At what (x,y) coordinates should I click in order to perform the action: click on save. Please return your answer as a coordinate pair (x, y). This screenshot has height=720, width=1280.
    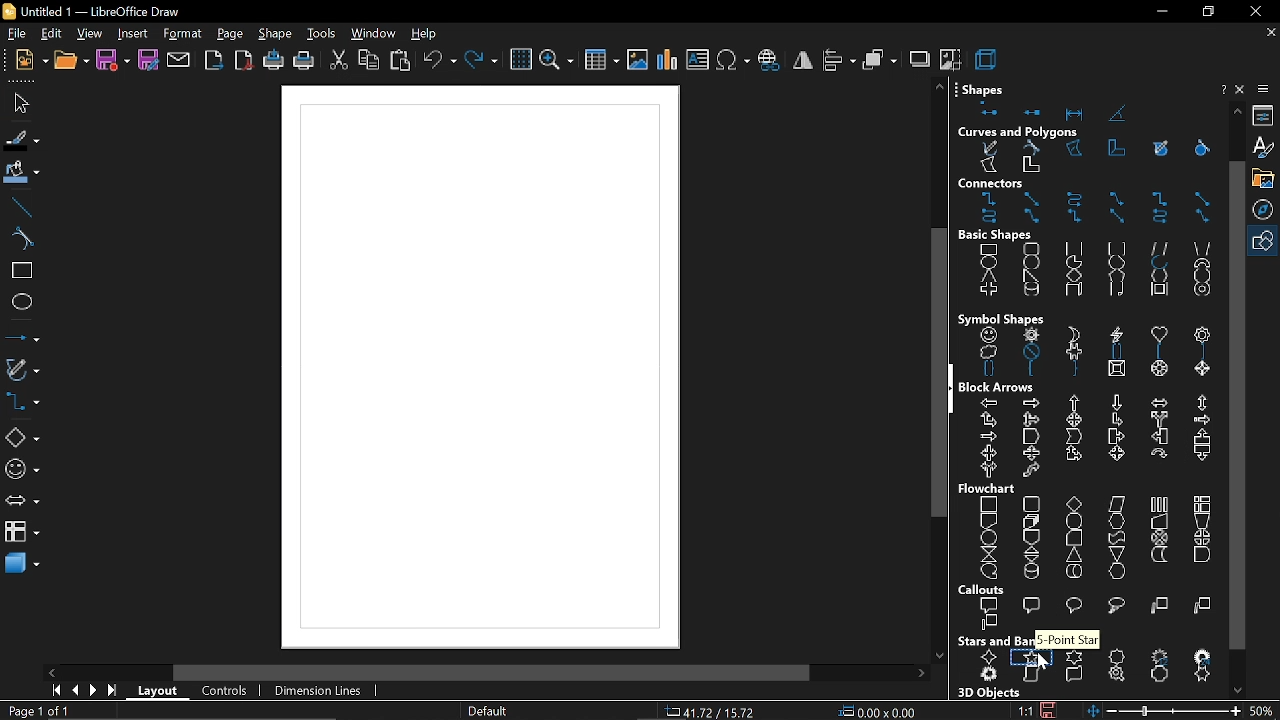
    Looking at the image, I should click on (113, 61).